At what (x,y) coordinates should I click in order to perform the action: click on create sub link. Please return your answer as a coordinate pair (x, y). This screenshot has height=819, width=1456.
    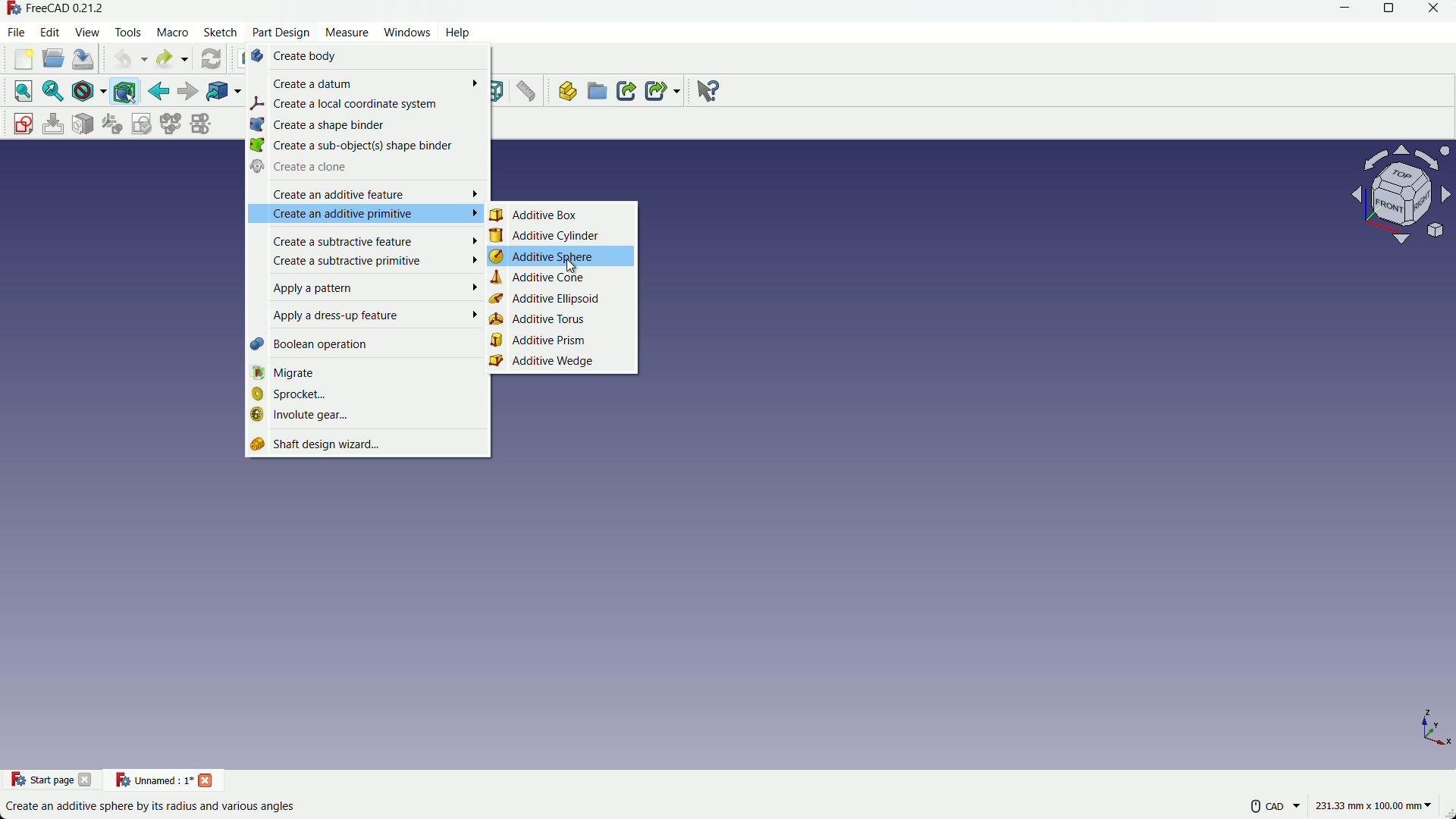
    Looking at the image, I should click on (660, 91).